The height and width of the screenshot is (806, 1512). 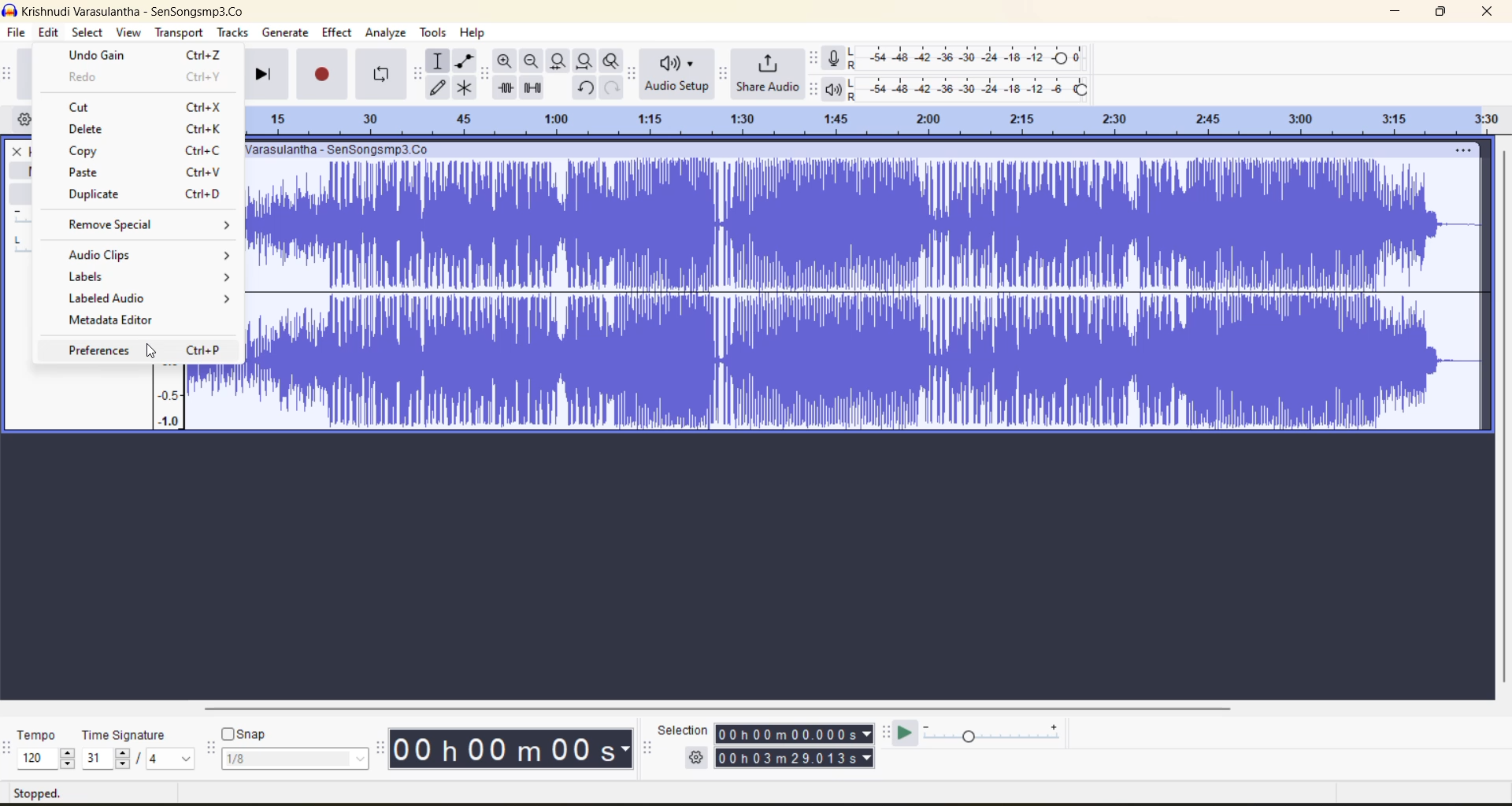 I want to click on close, so click(x=1488, y=12).